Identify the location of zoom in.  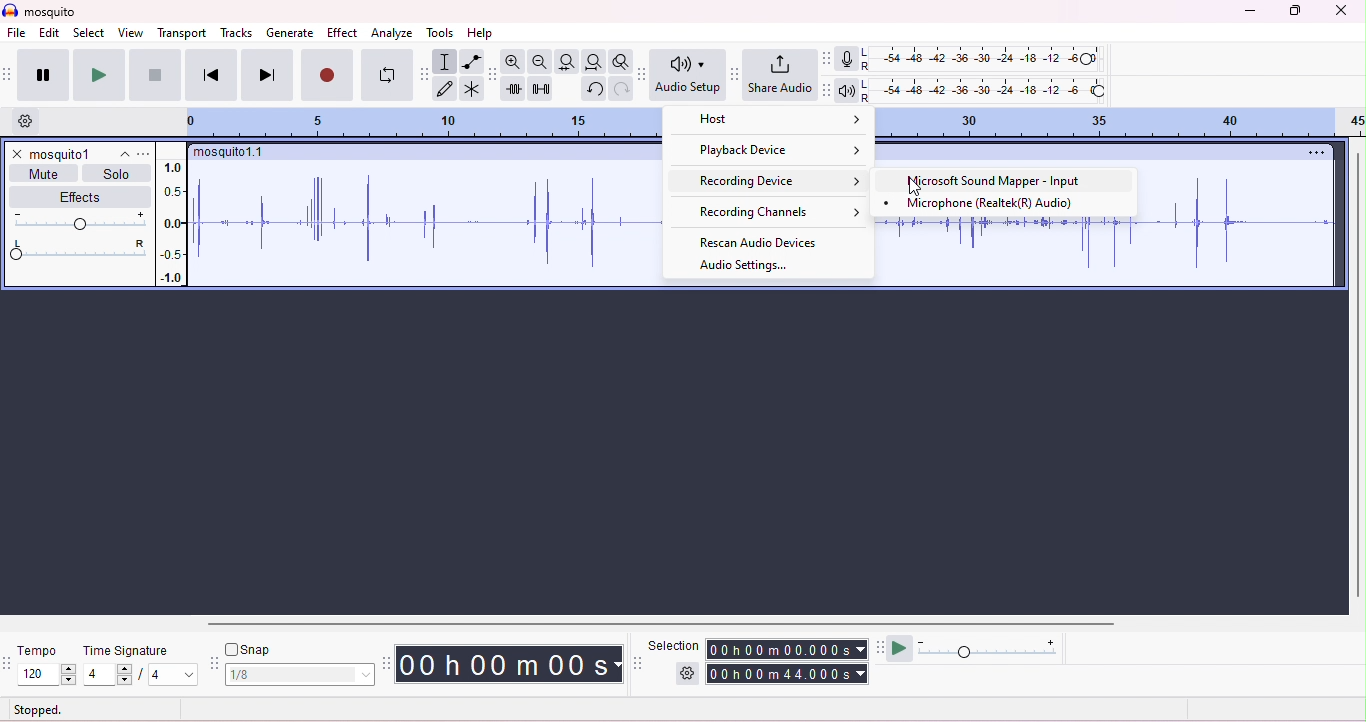
(538, 62).